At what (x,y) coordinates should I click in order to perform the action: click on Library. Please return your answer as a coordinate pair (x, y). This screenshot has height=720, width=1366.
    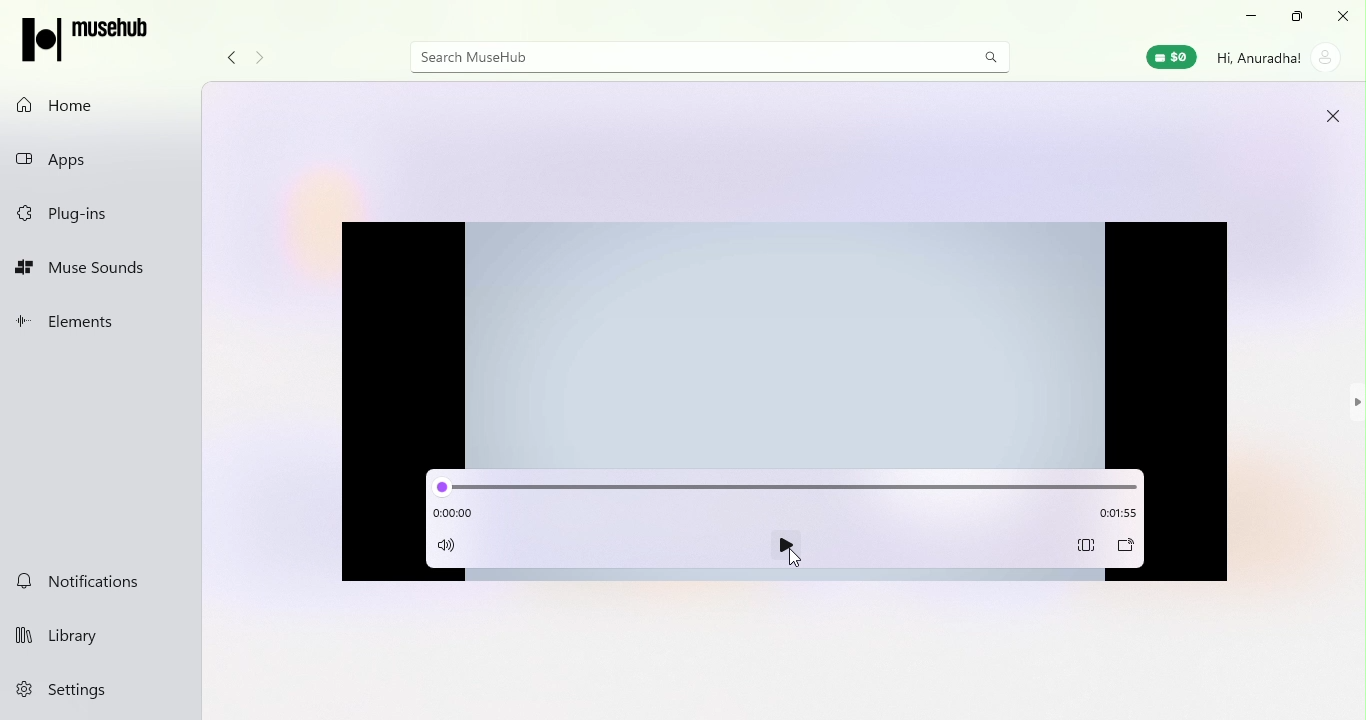
    Looking at the image, I should click on (99, 634).